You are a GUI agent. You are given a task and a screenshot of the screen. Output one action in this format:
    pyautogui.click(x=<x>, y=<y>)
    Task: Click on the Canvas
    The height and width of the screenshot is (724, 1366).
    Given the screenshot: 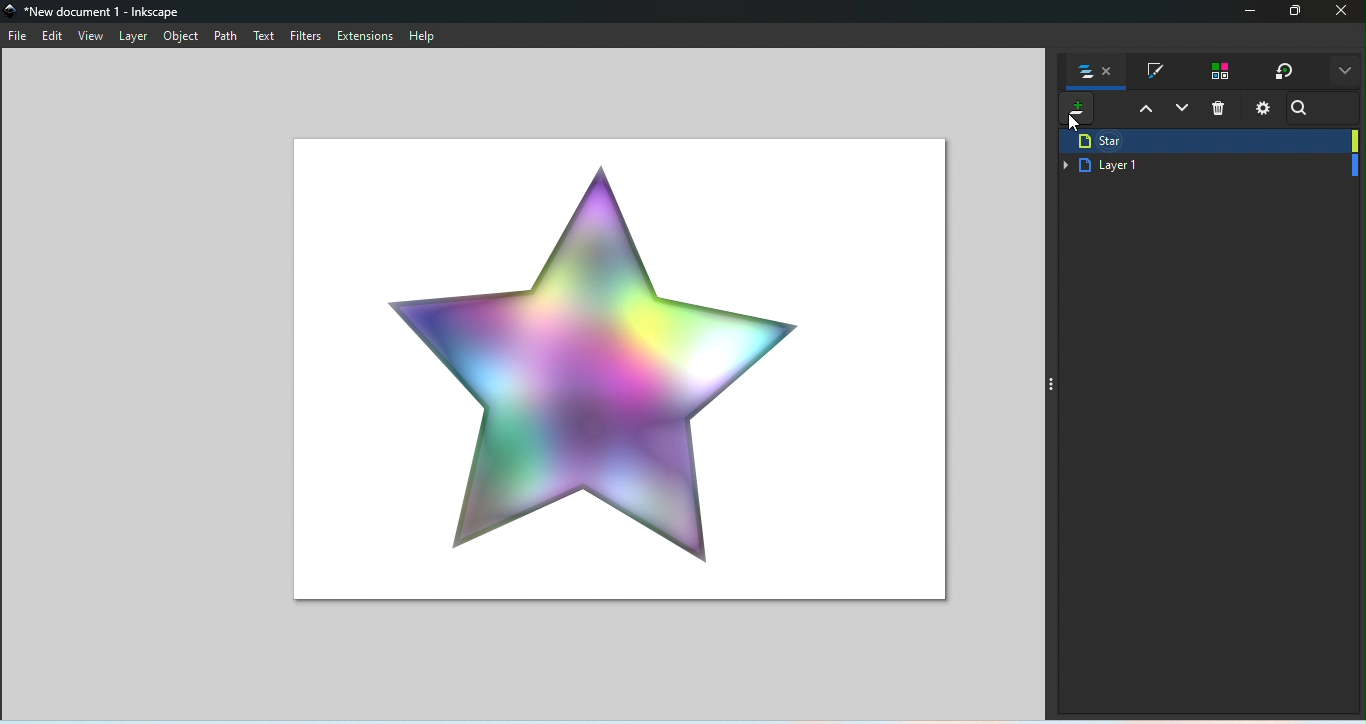 What is the action you would take?
    pyautogui.click(x=612, y=365)
    